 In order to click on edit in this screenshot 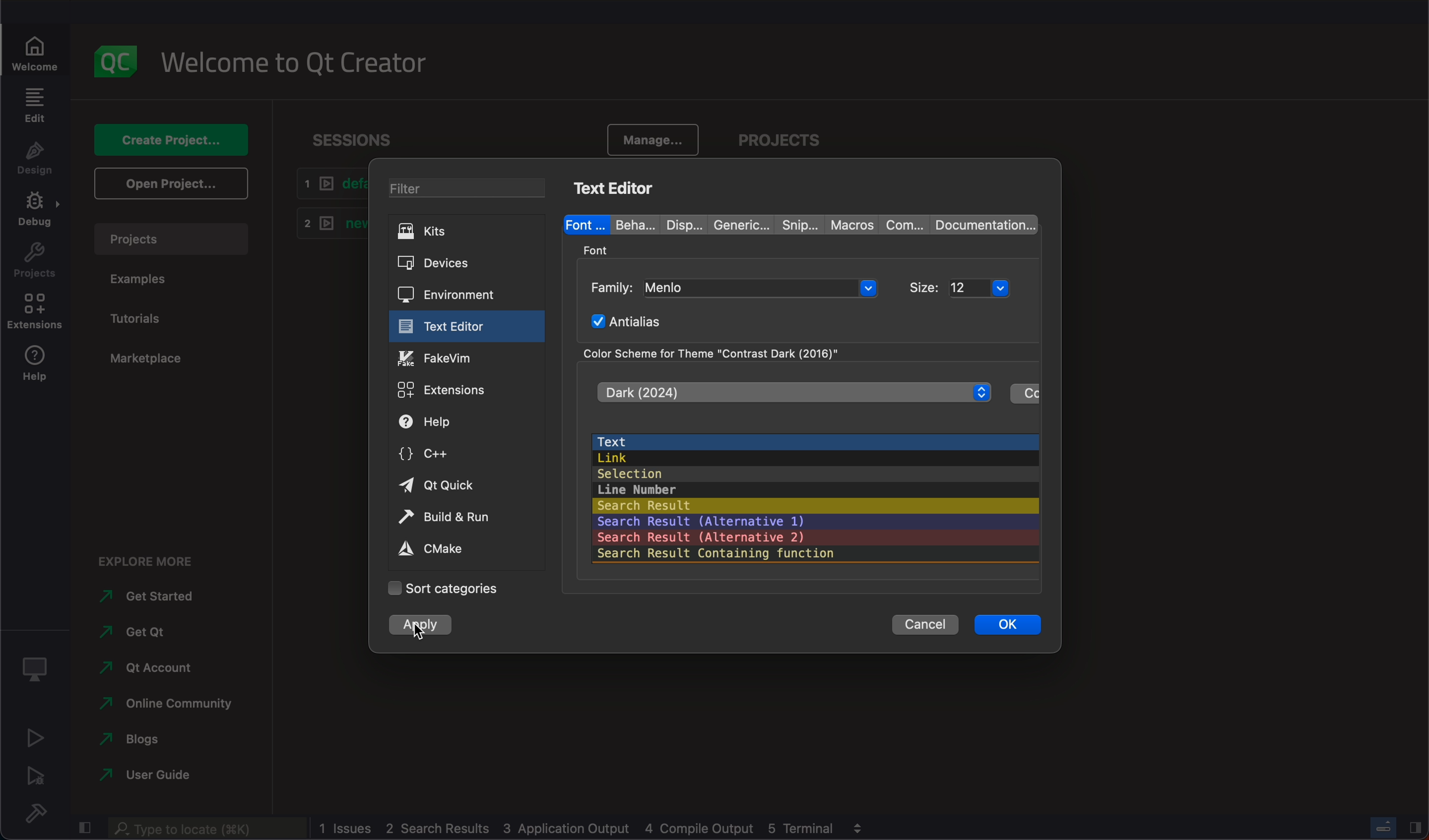, I will do `click(34, 106)`.